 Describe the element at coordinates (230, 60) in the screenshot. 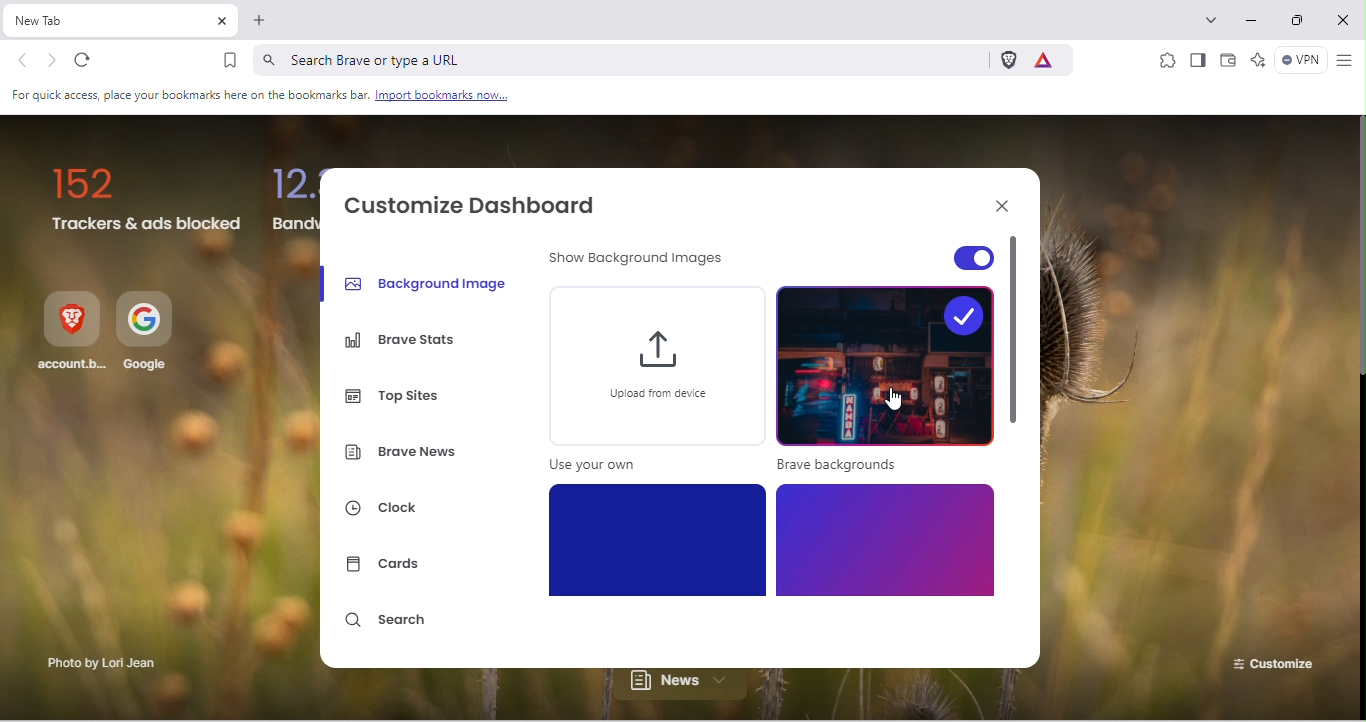

I see `Bookmark` at that location.